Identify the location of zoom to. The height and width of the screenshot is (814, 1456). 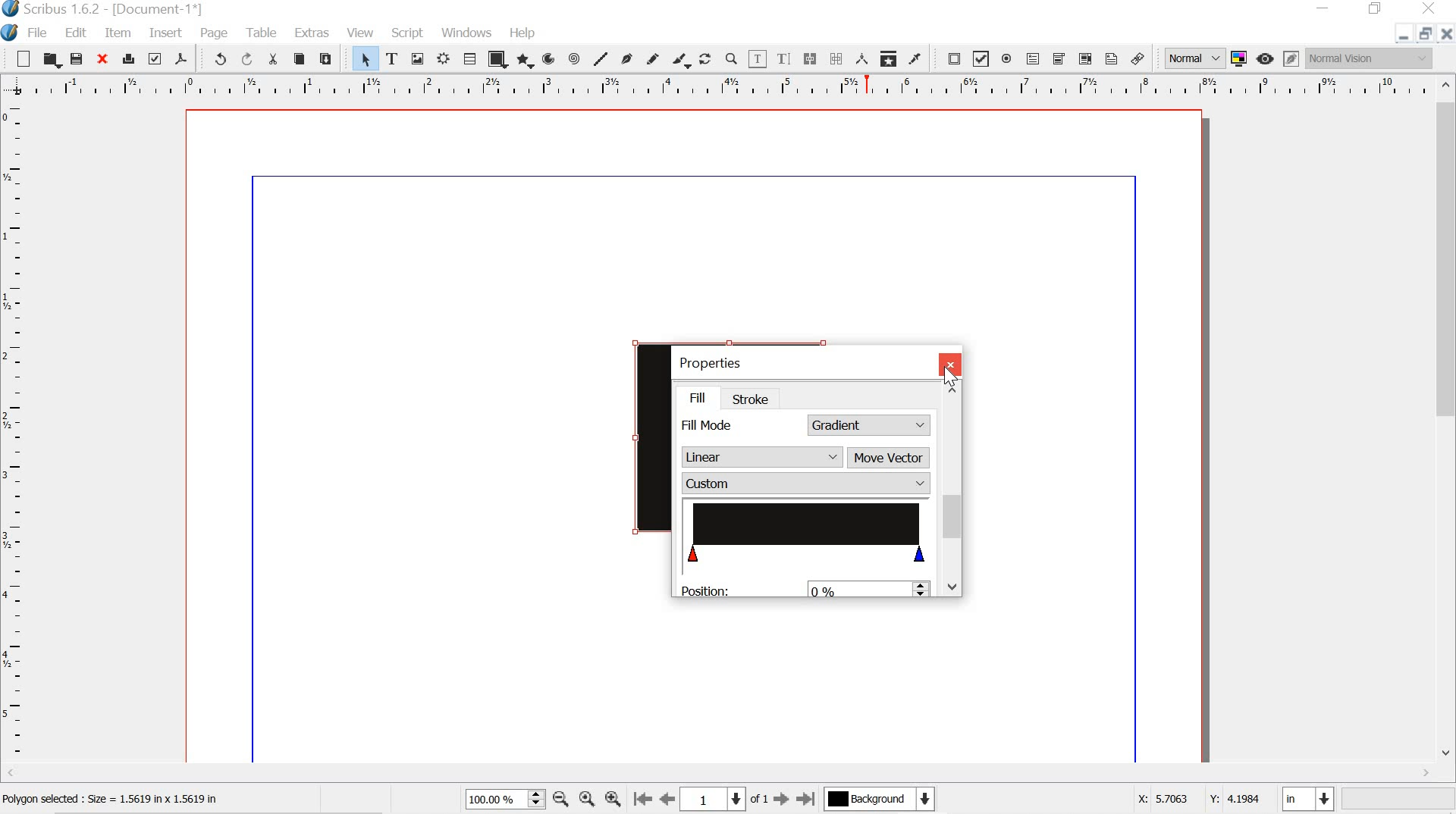
(588, 800).